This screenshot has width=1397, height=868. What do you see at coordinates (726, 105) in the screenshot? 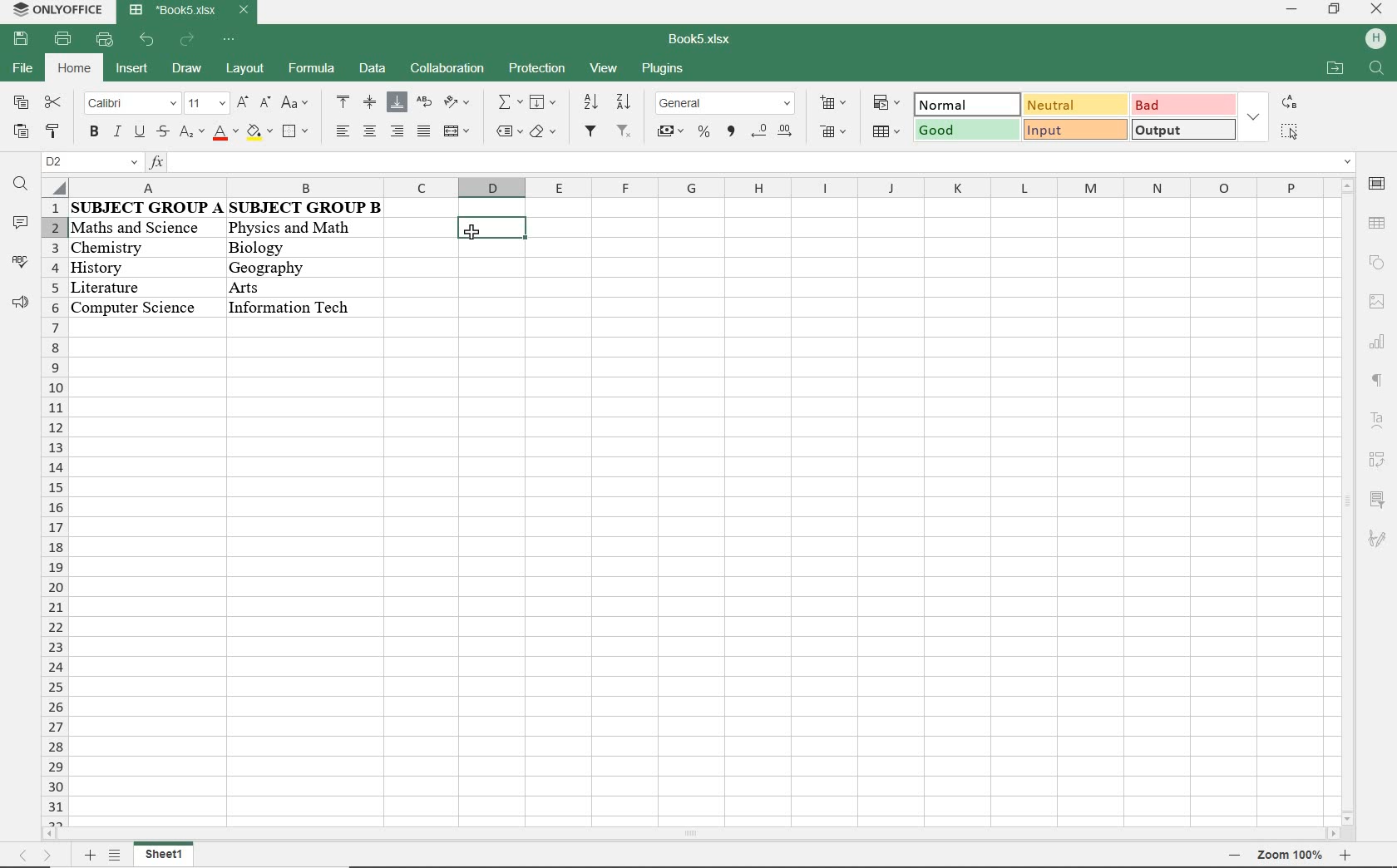
I see `number format` at bounding box center [726, 105].